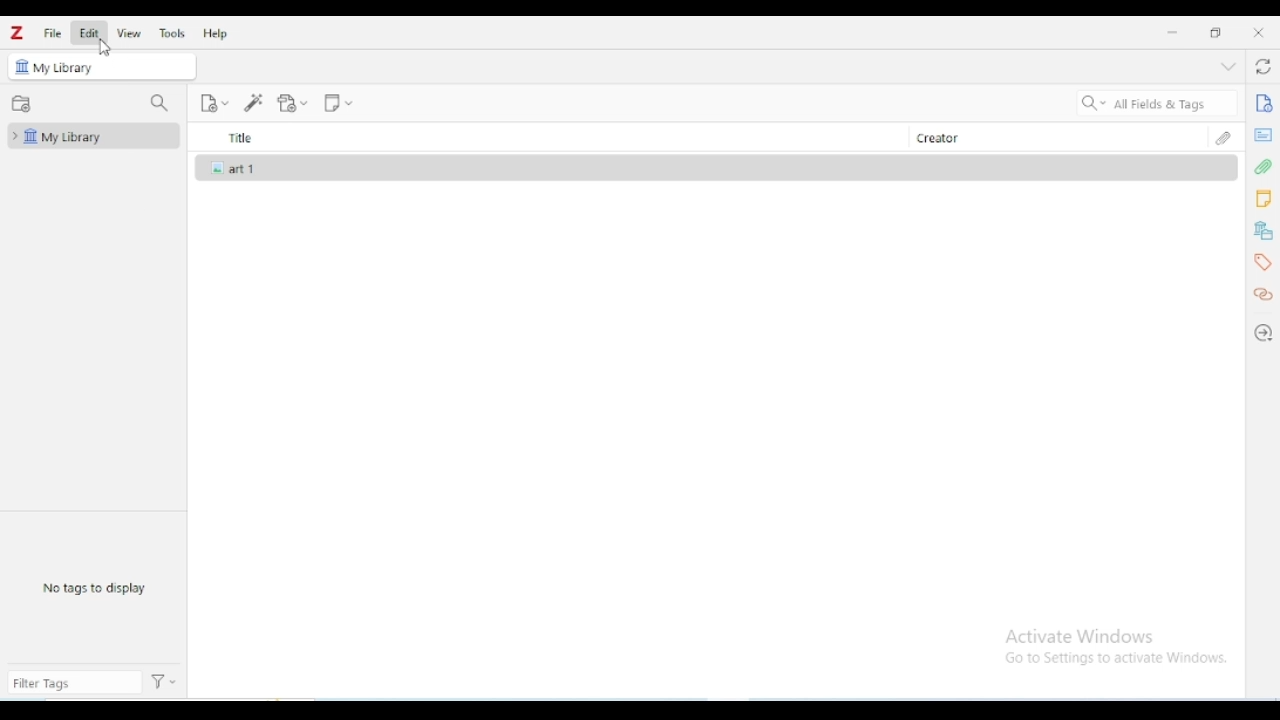 The image size is (1280, 720). Describe the element at coordinates (1264, 66) in the screenshot. I see `sync with zotero.org` at that location.